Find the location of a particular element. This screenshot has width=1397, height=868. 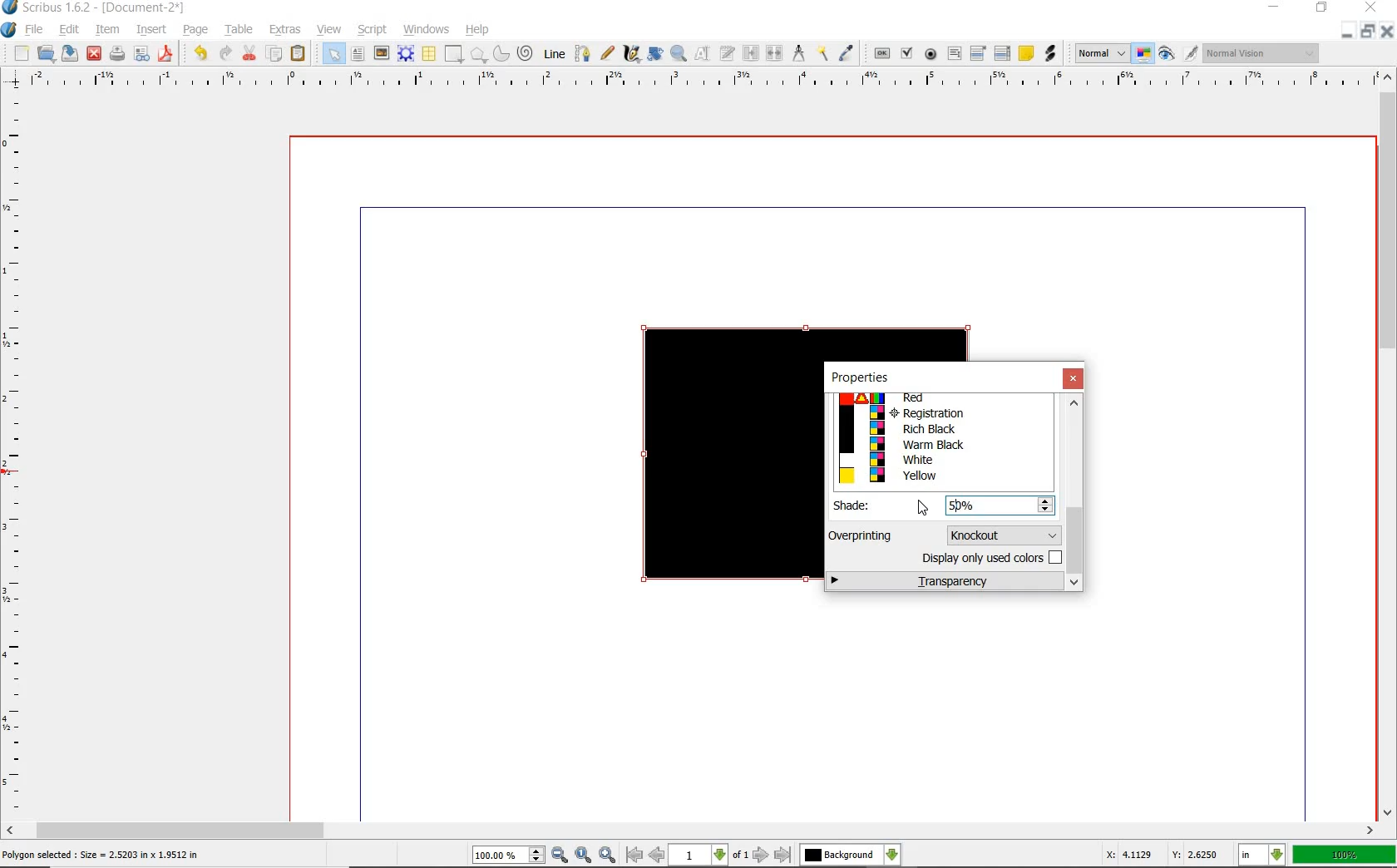

knockout is located at coordinates (1001, 534).